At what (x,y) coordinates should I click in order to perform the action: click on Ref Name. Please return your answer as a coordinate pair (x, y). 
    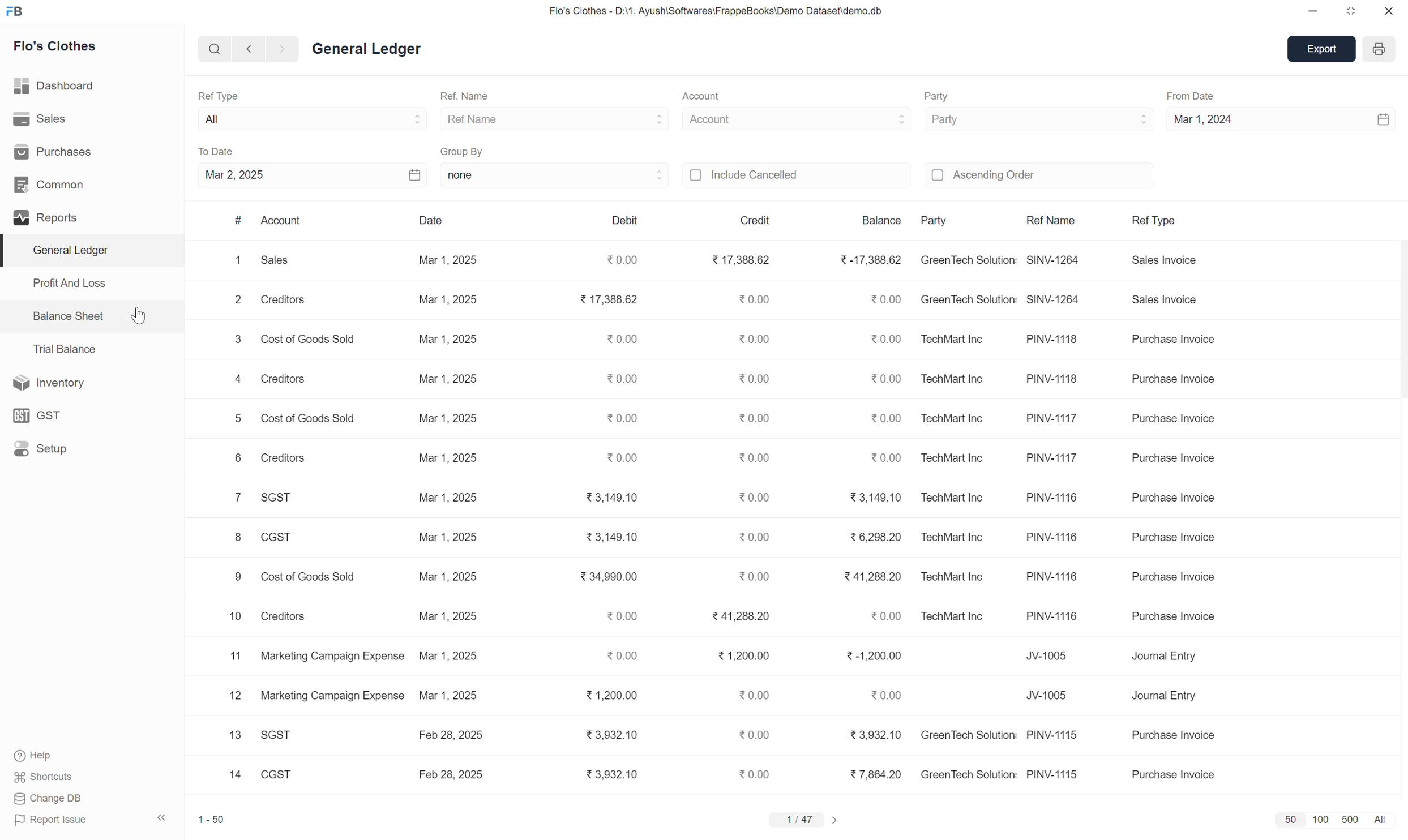
    Looking at the image, I should click on (1045, 220).